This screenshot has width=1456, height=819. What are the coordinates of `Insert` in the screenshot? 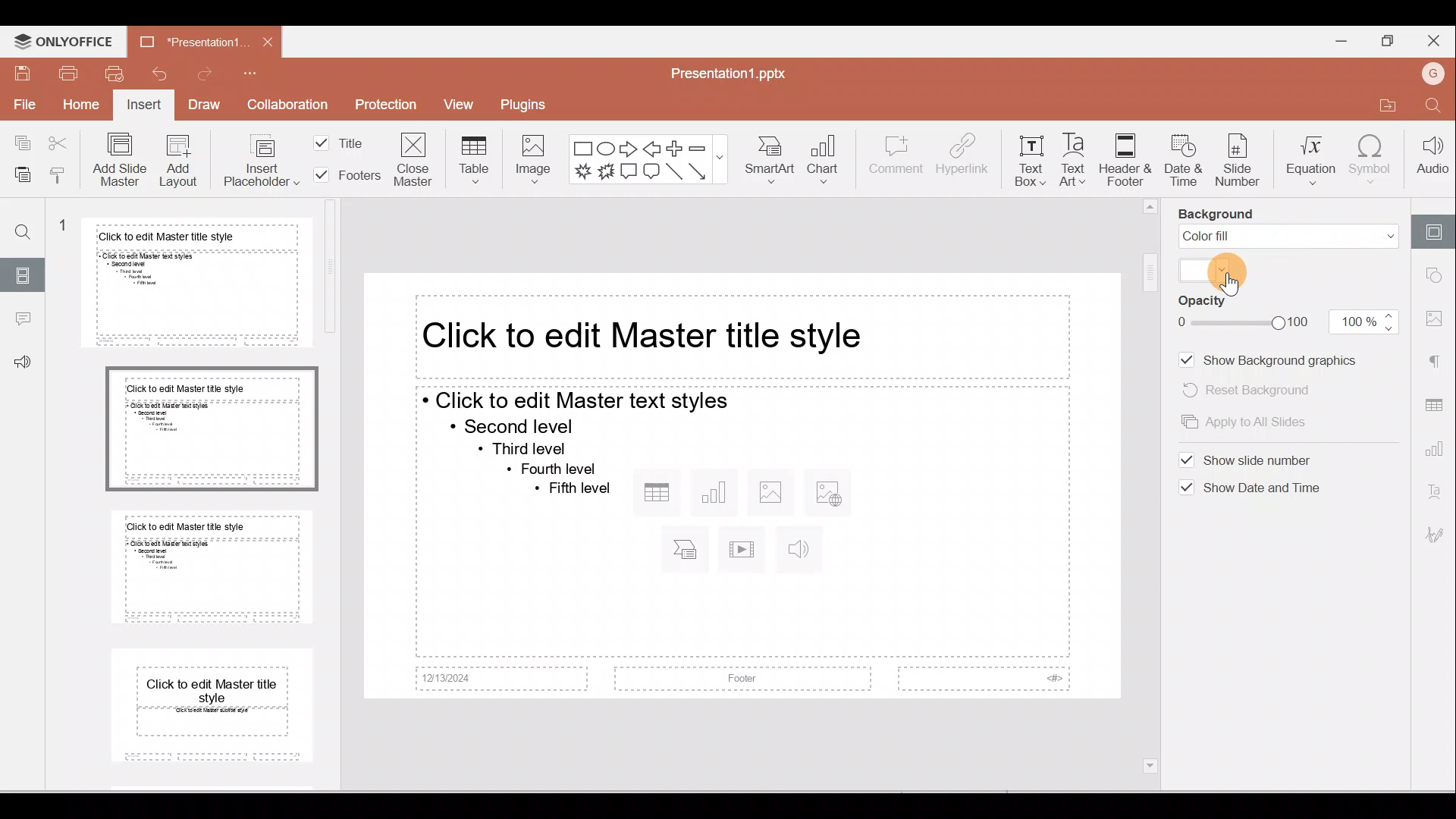 It's located at (143, 106).